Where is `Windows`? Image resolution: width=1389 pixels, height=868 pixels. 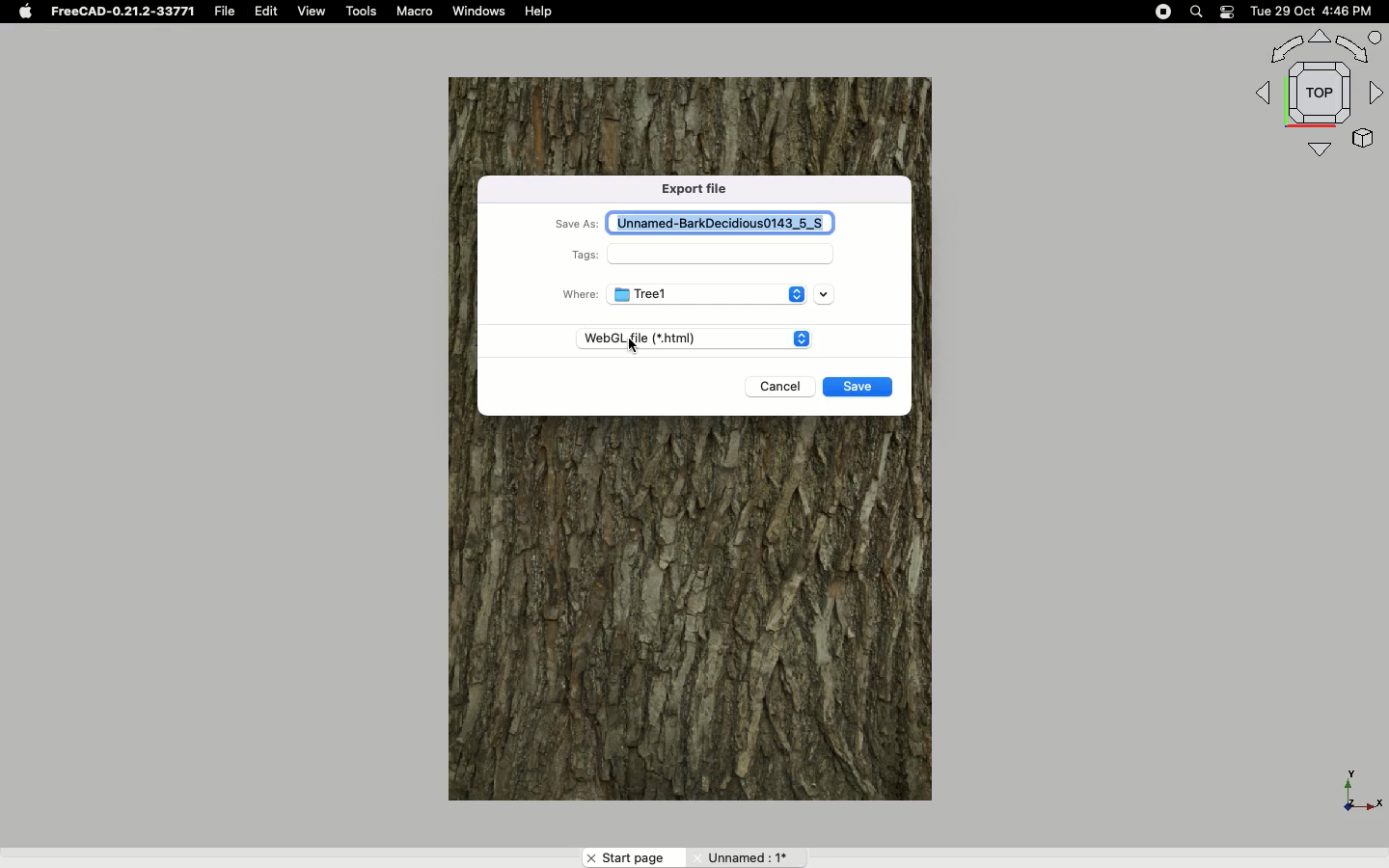
Windows is located at coordinates (484, 13).